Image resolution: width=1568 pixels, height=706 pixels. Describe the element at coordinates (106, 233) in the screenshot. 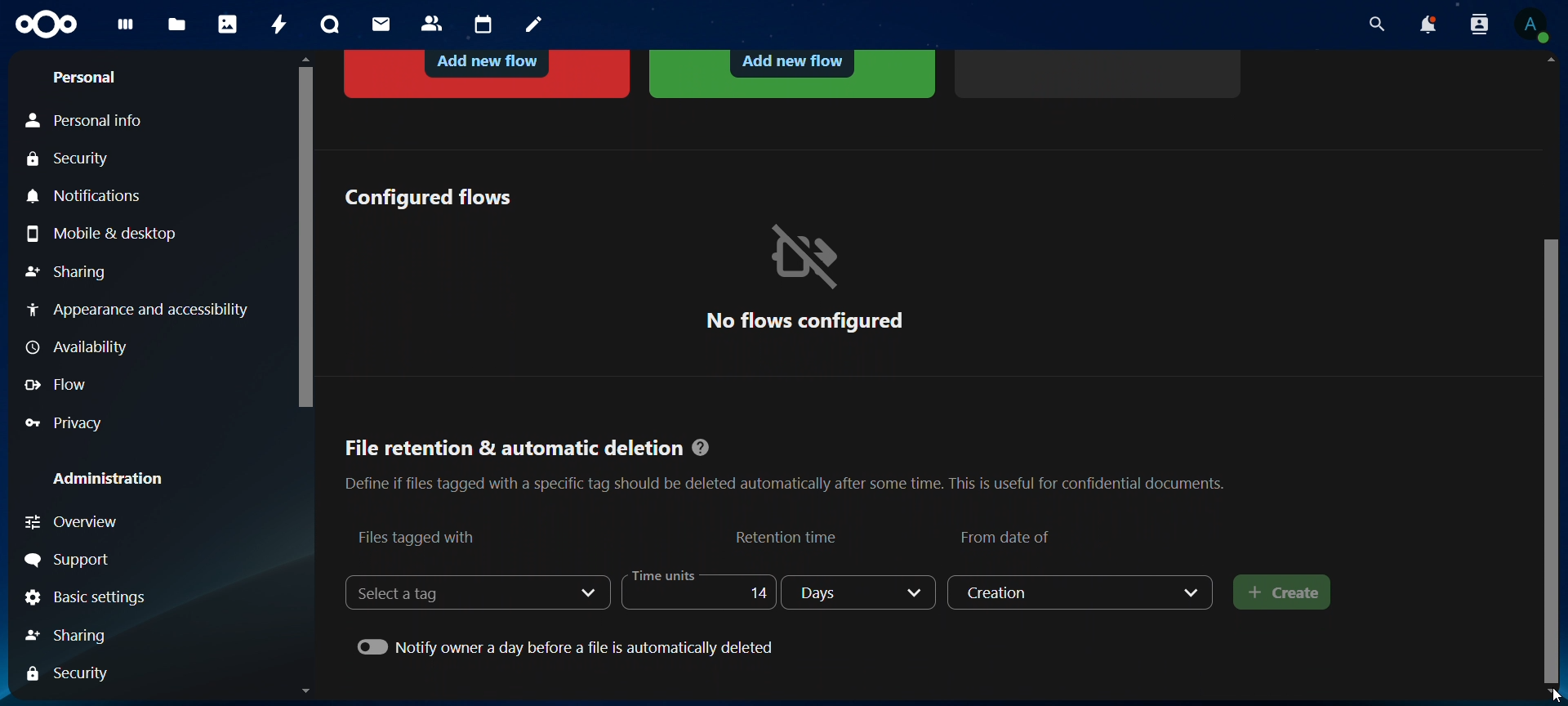

I see `mobile & desktop` at that location.